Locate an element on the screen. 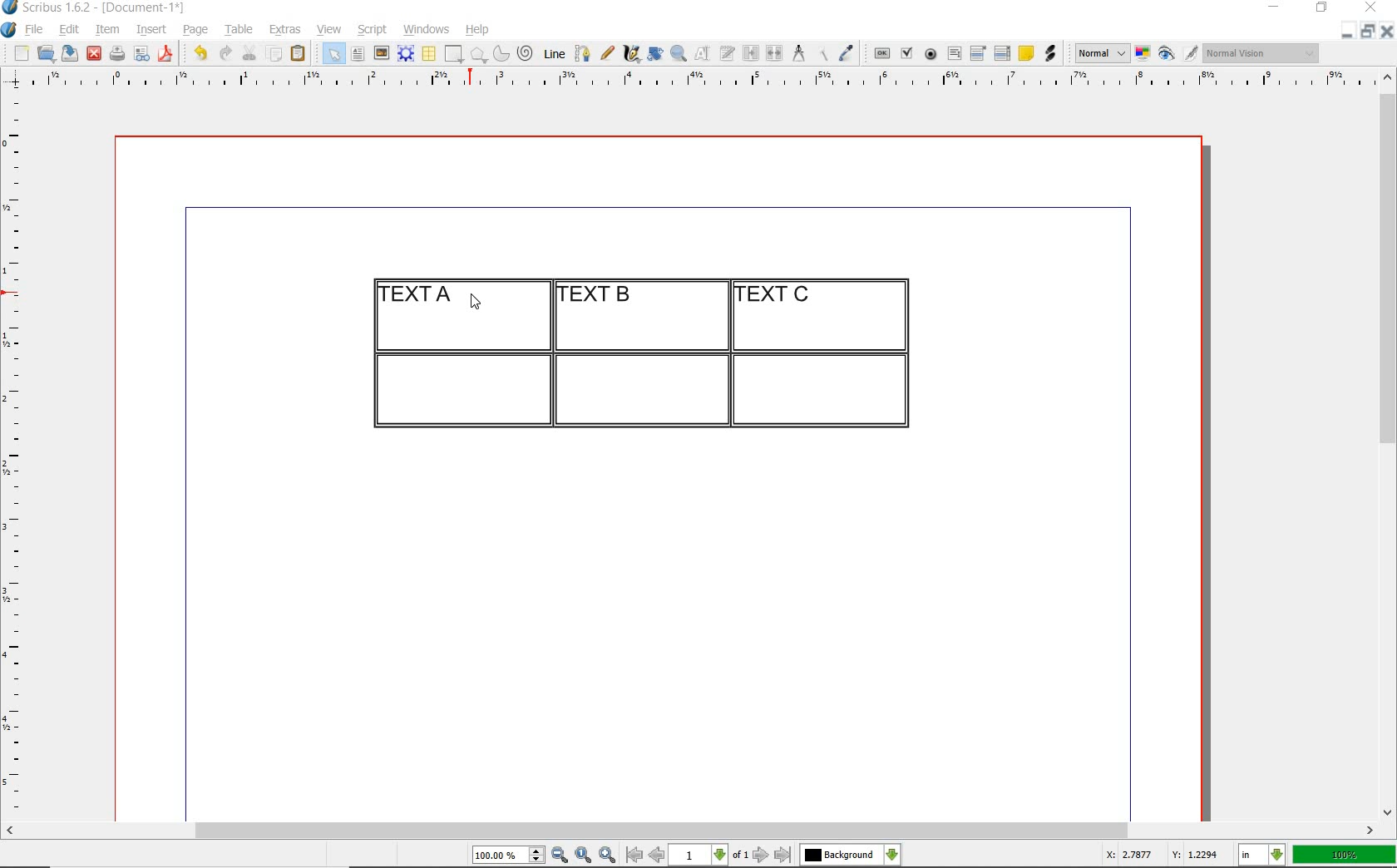 Image resolution: width=1397 pixels, height=868 pixels. table is located at coordinates (239, 30).